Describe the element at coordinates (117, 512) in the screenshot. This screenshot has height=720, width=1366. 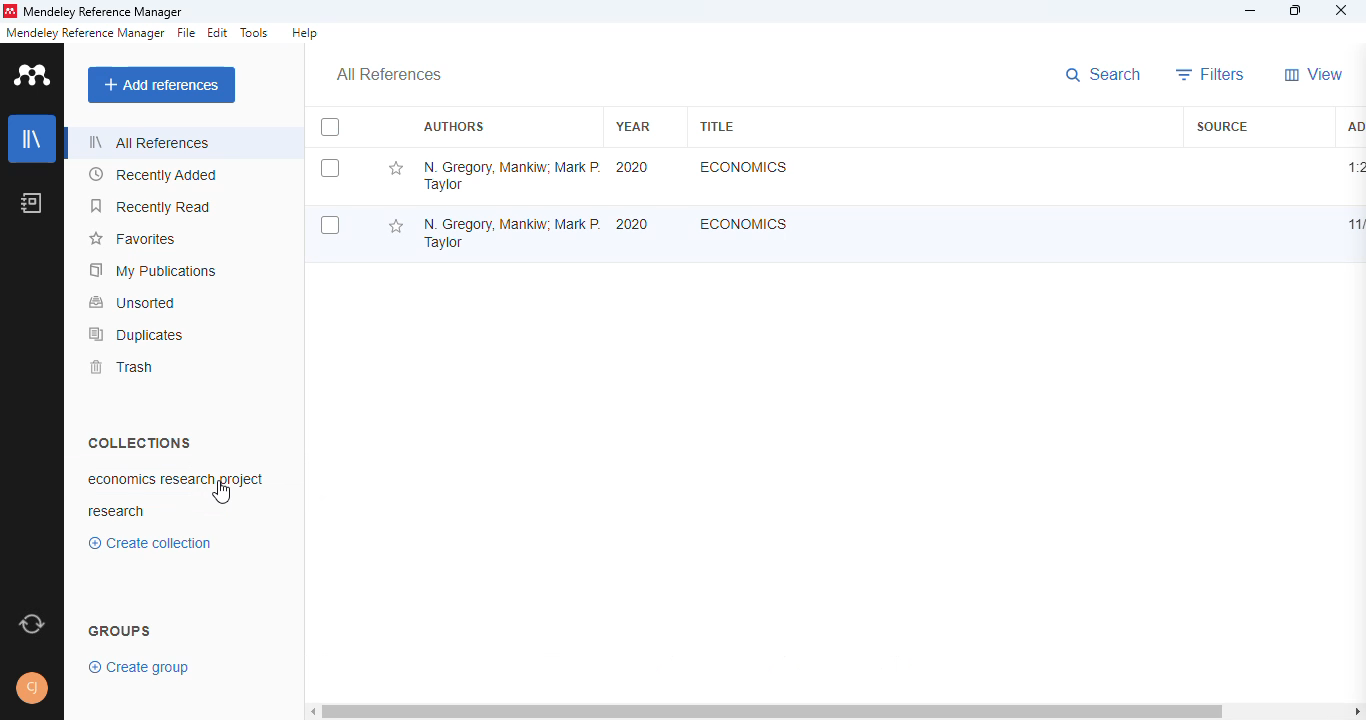
I see `research` at that location.